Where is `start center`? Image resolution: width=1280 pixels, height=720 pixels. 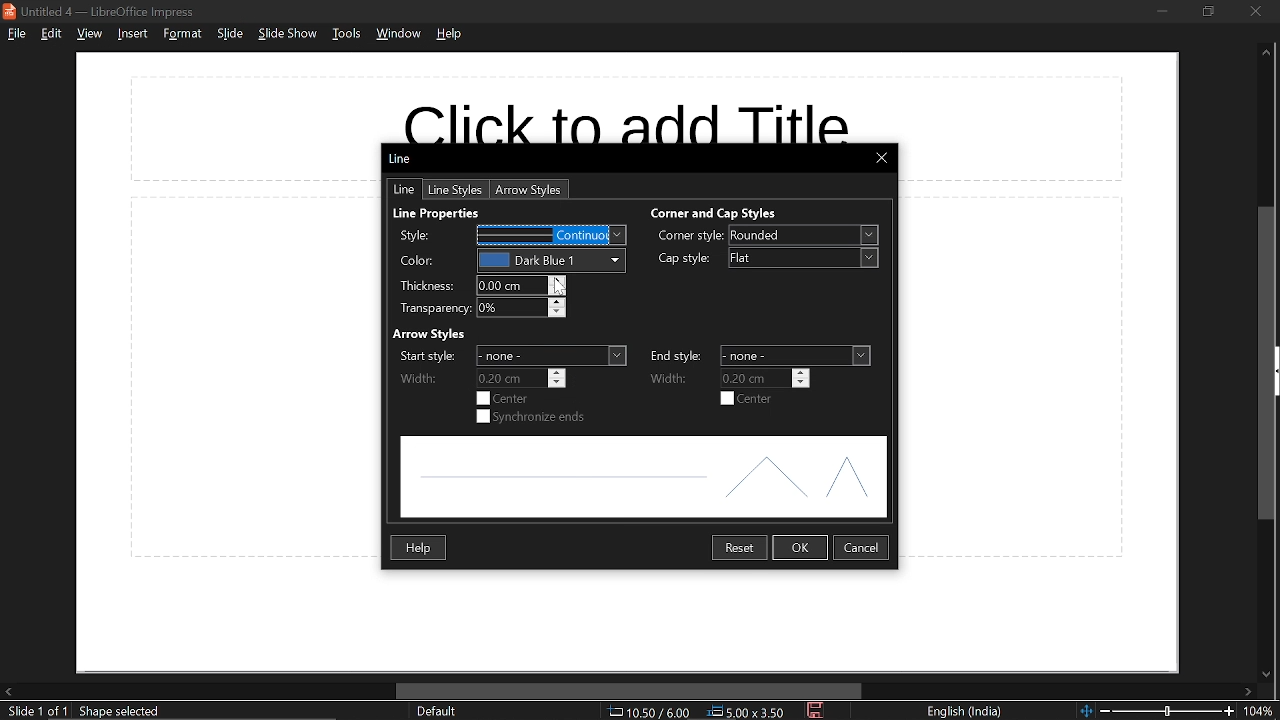 start center is located at coordinates (503, 398).